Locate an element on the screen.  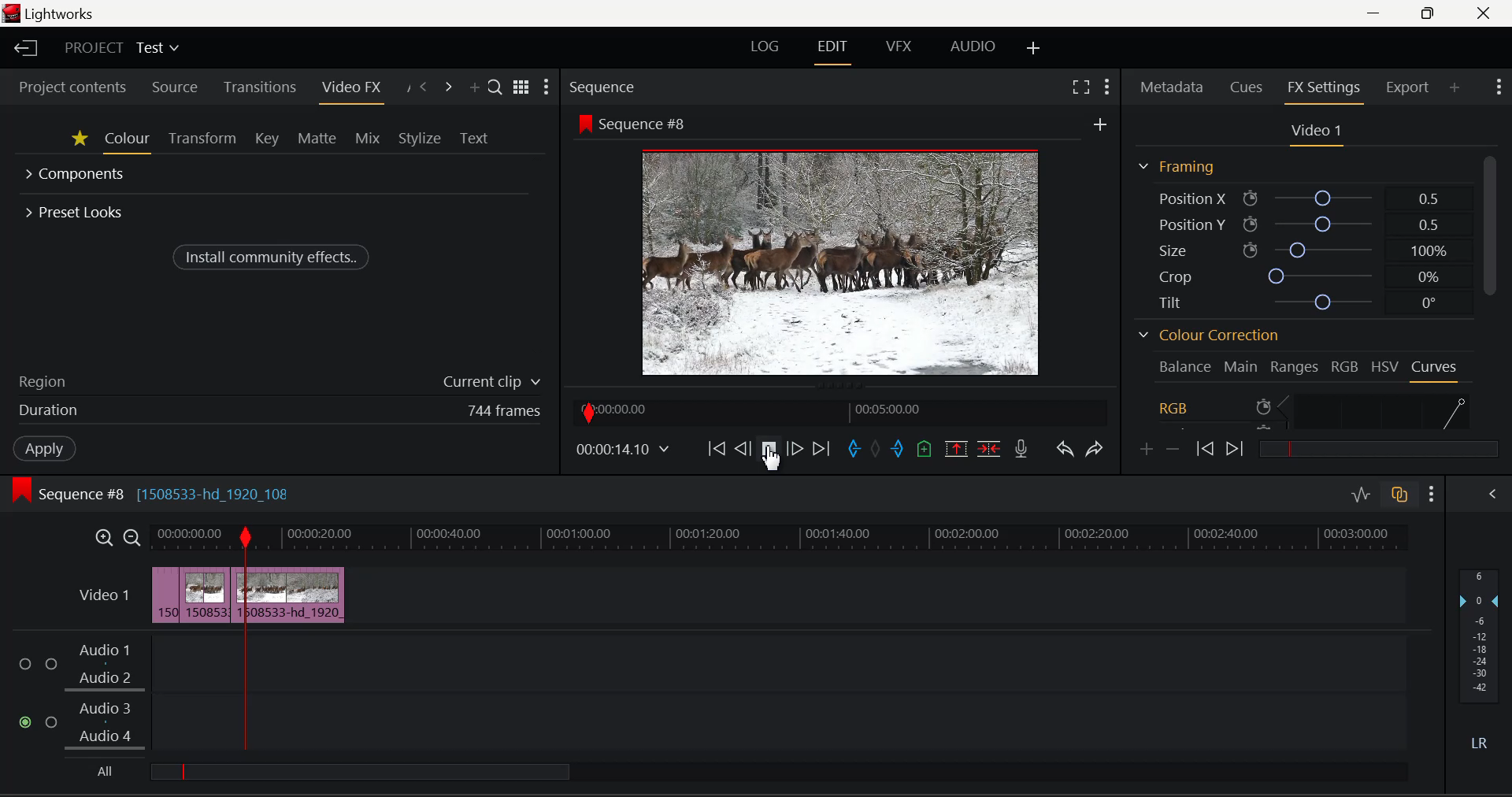
Transitions is located at coordinates (259, 87).